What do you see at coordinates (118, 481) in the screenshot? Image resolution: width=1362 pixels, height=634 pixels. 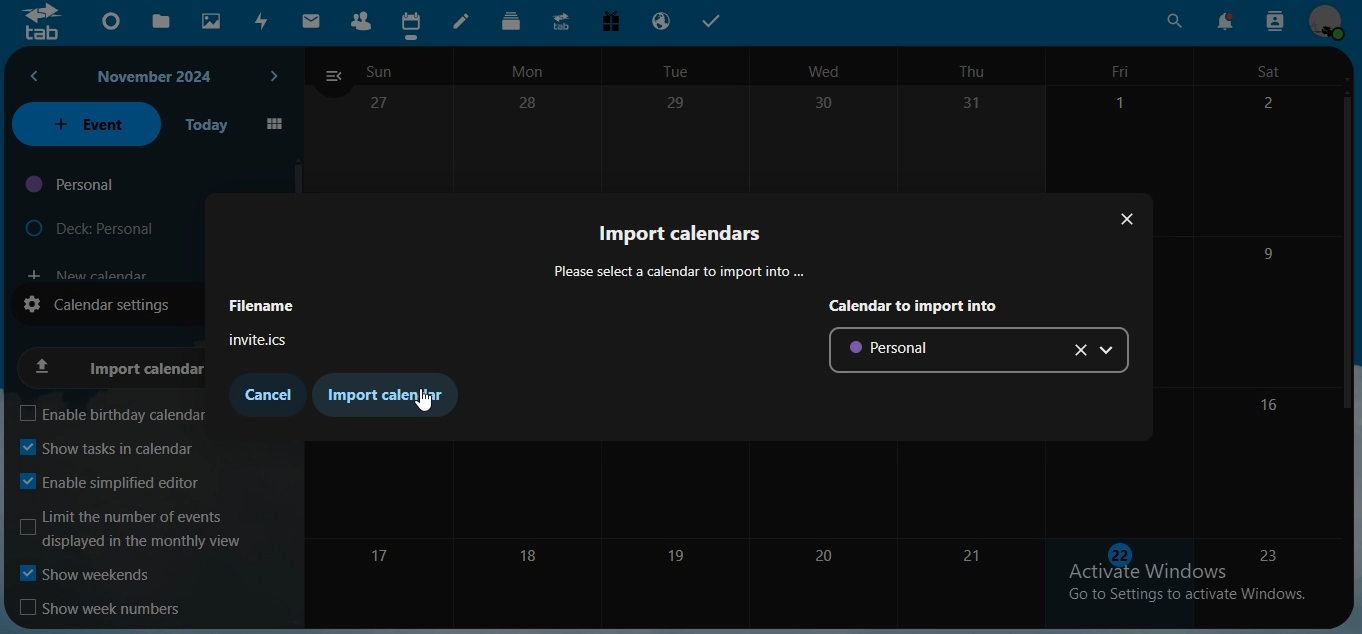 I see `enable simplified editor` at bounding box center [118, 481].